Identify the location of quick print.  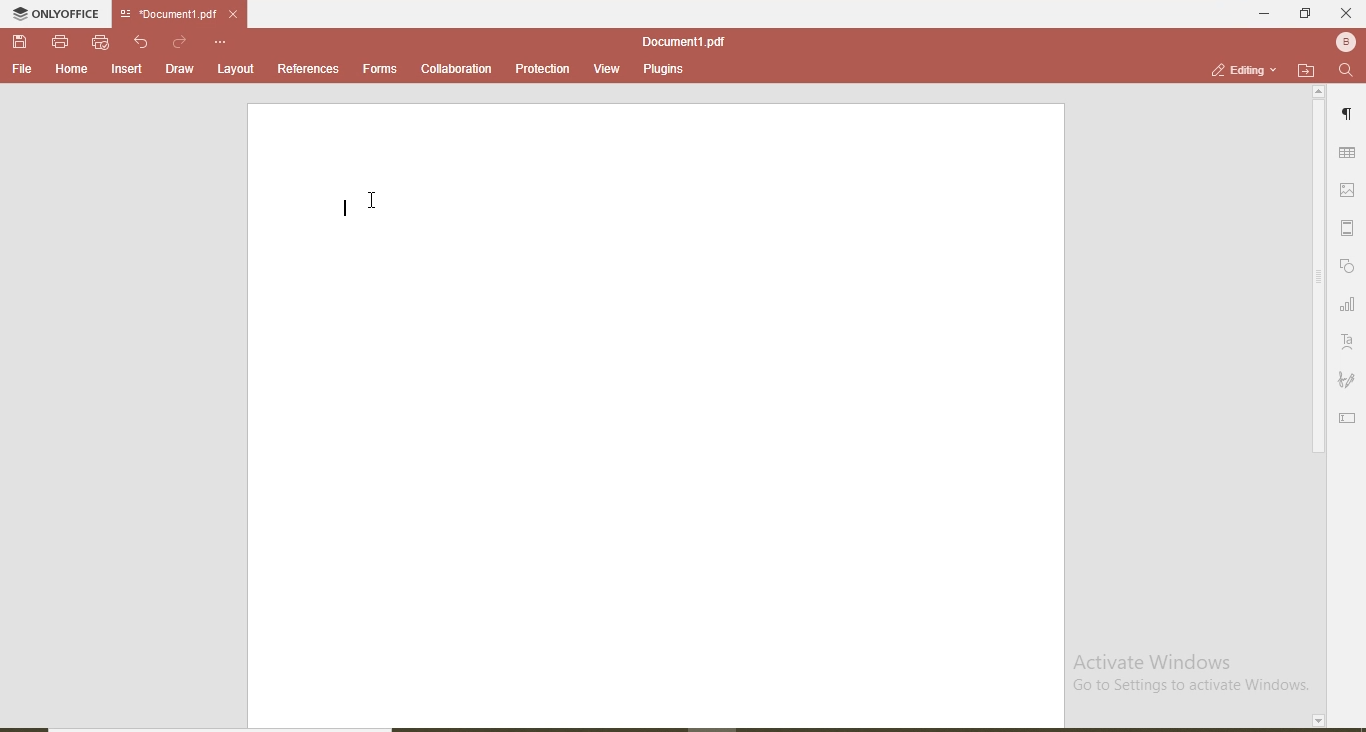
(101, 42).